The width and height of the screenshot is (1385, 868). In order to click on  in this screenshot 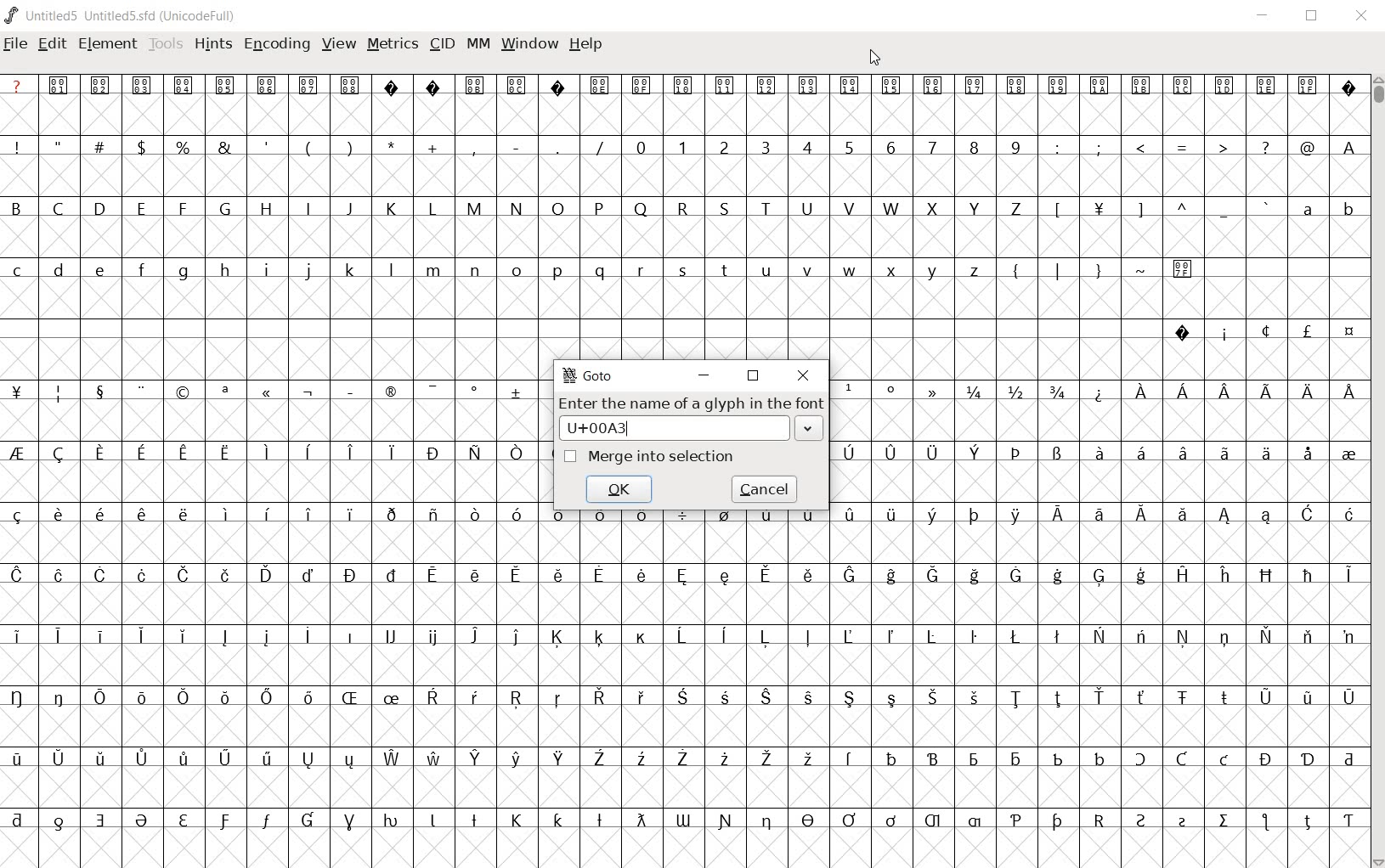, I will do `click(181, 514)`.